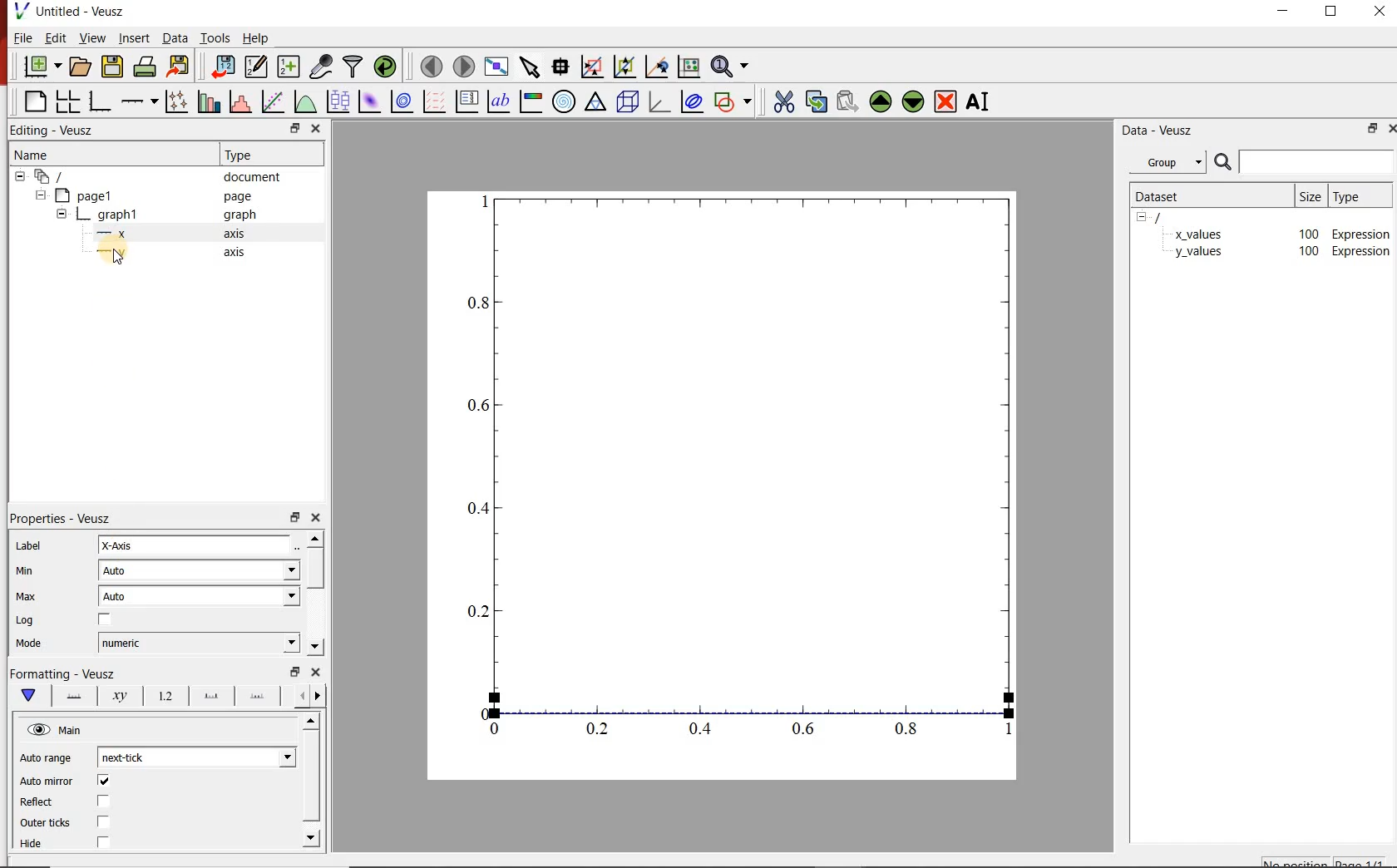  Describe the element at coordinates (200, 595) in the screenshot. I see `auto` at that location.